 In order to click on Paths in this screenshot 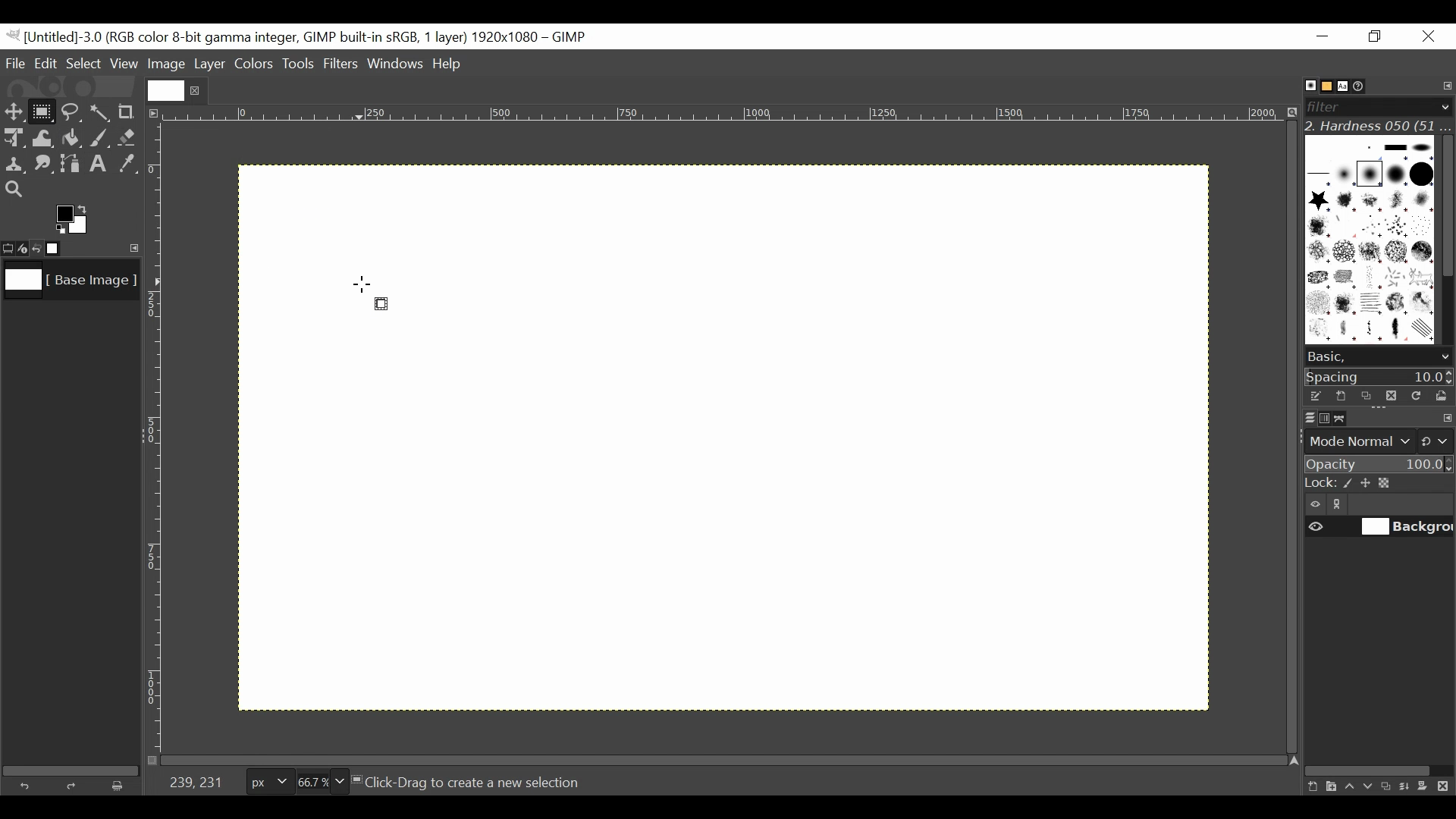, I will do `click(1344, 419)`.